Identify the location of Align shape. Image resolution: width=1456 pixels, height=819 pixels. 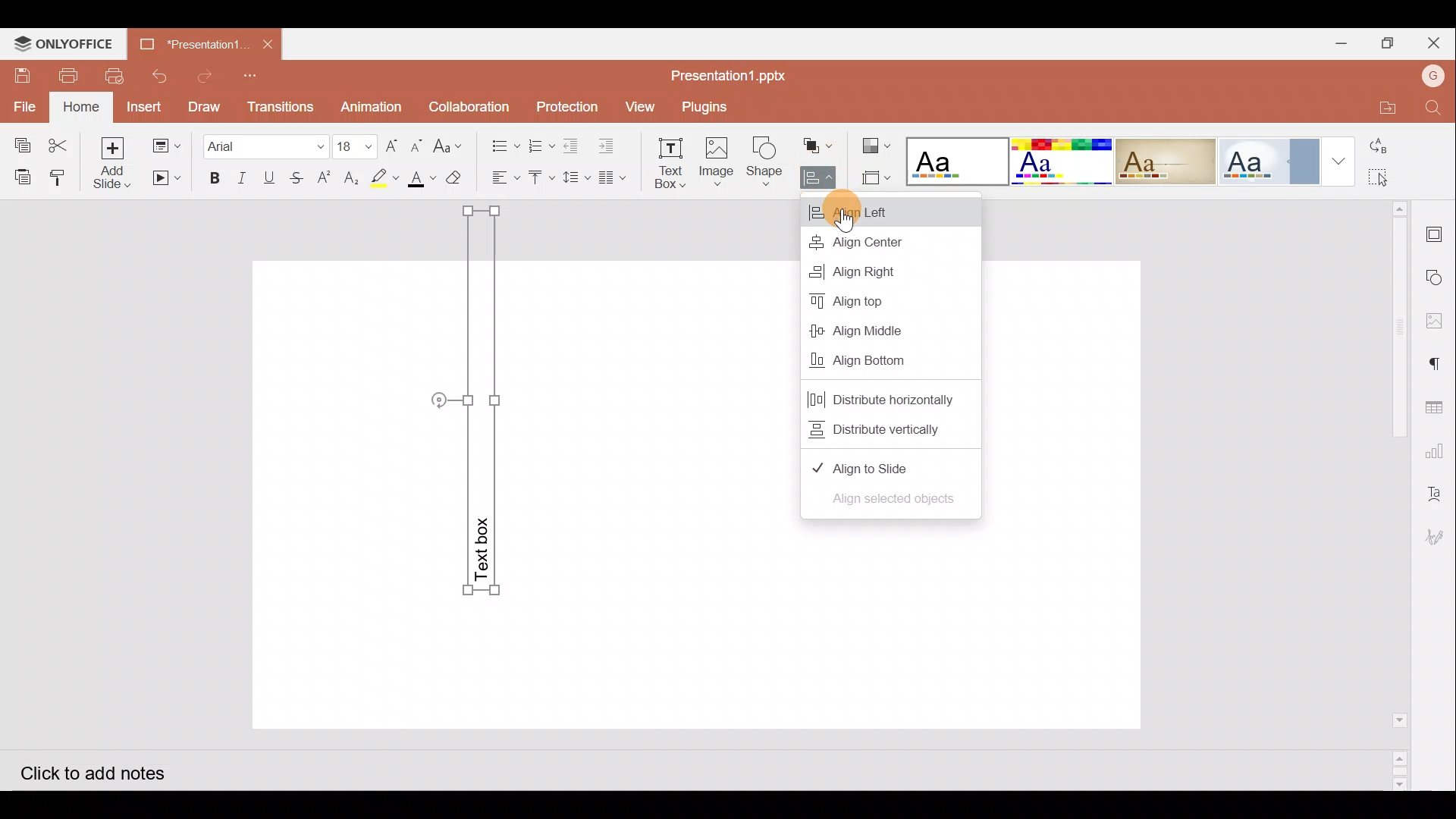
(817, 178).